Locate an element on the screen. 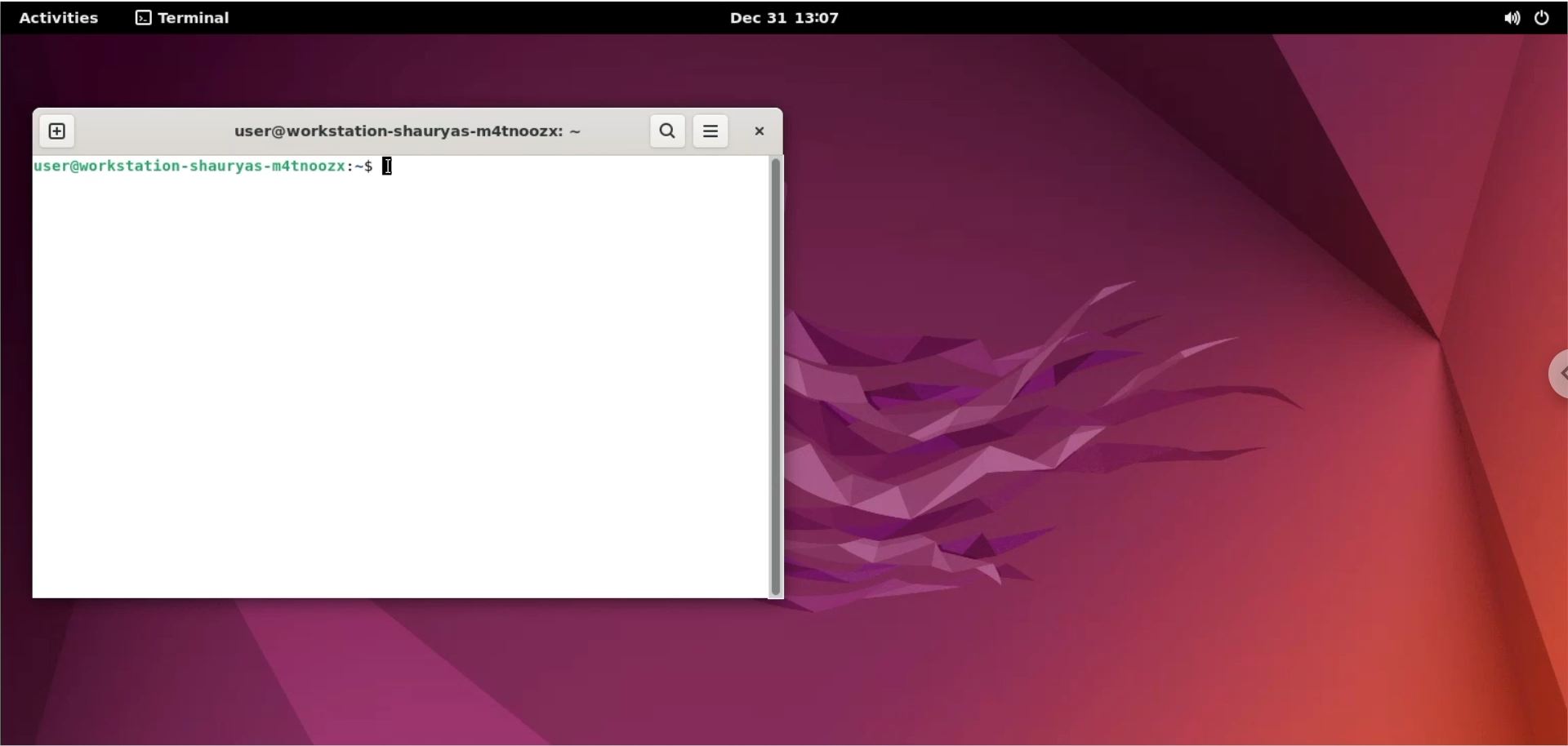 The image size is (1568, 746). user@workstation-shauryas-m4tnoozx: ~ is located at coordinates (405, 131).